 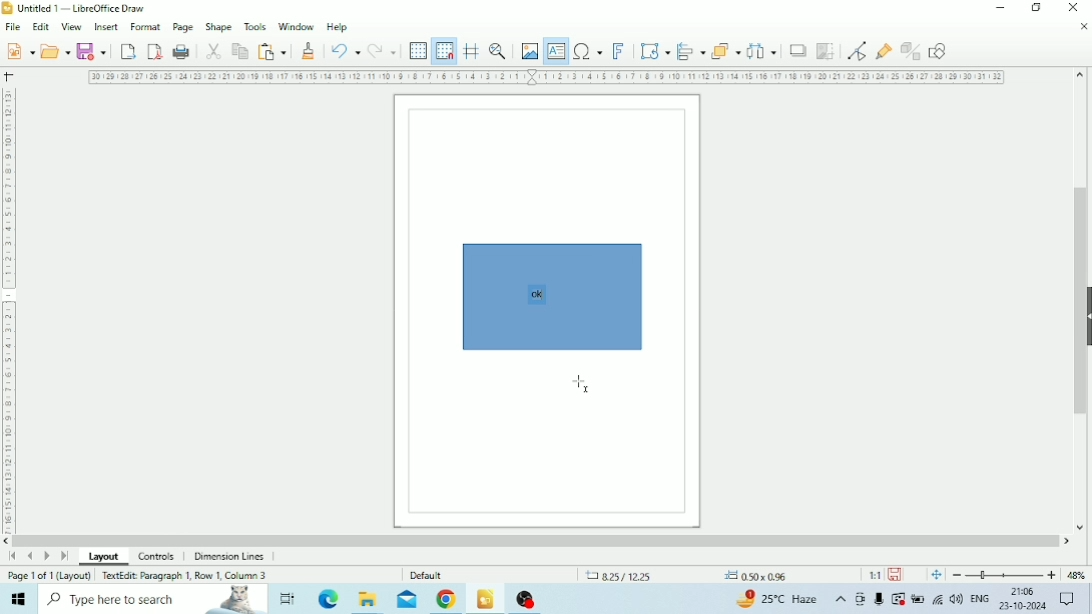 I want to click on Dimension Lines, so click(x=229, y=556).